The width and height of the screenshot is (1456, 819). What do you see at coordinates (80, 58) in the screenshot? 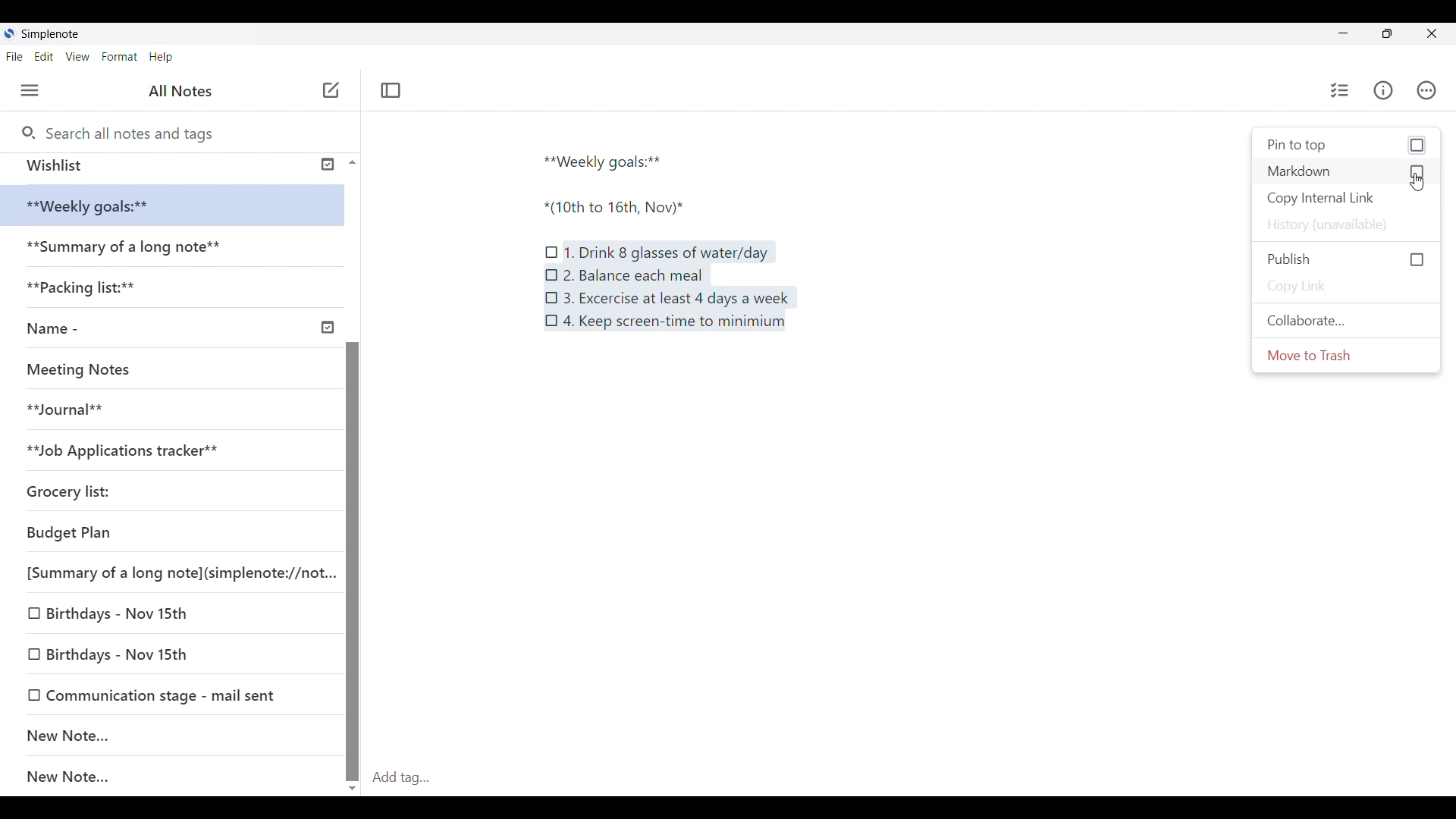
I see `View` at bounding box center [80, 58].